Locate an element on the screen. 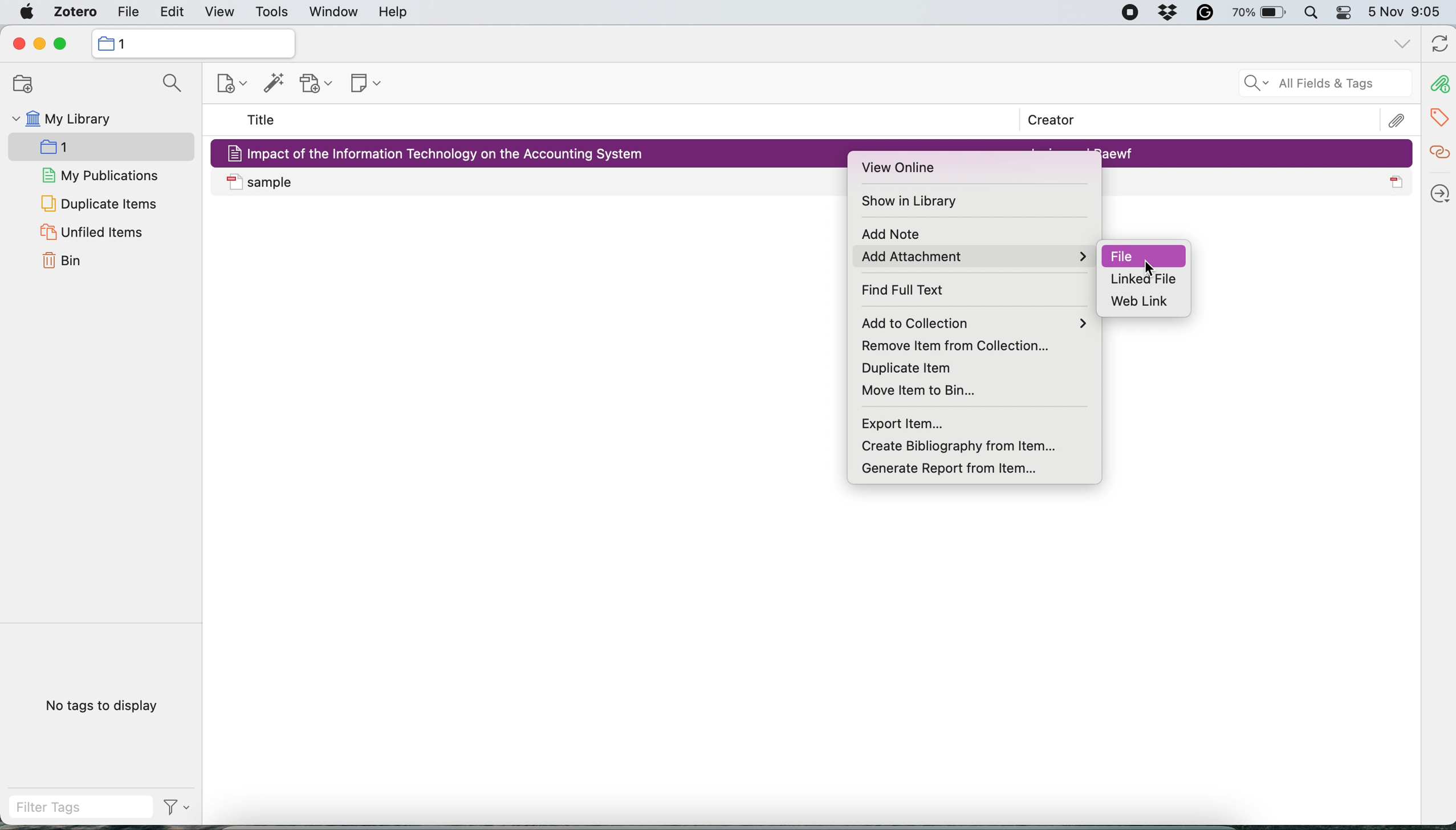 The height and width of the screenshot is (830, 1456). battery is located at coordinates (1255, 12).